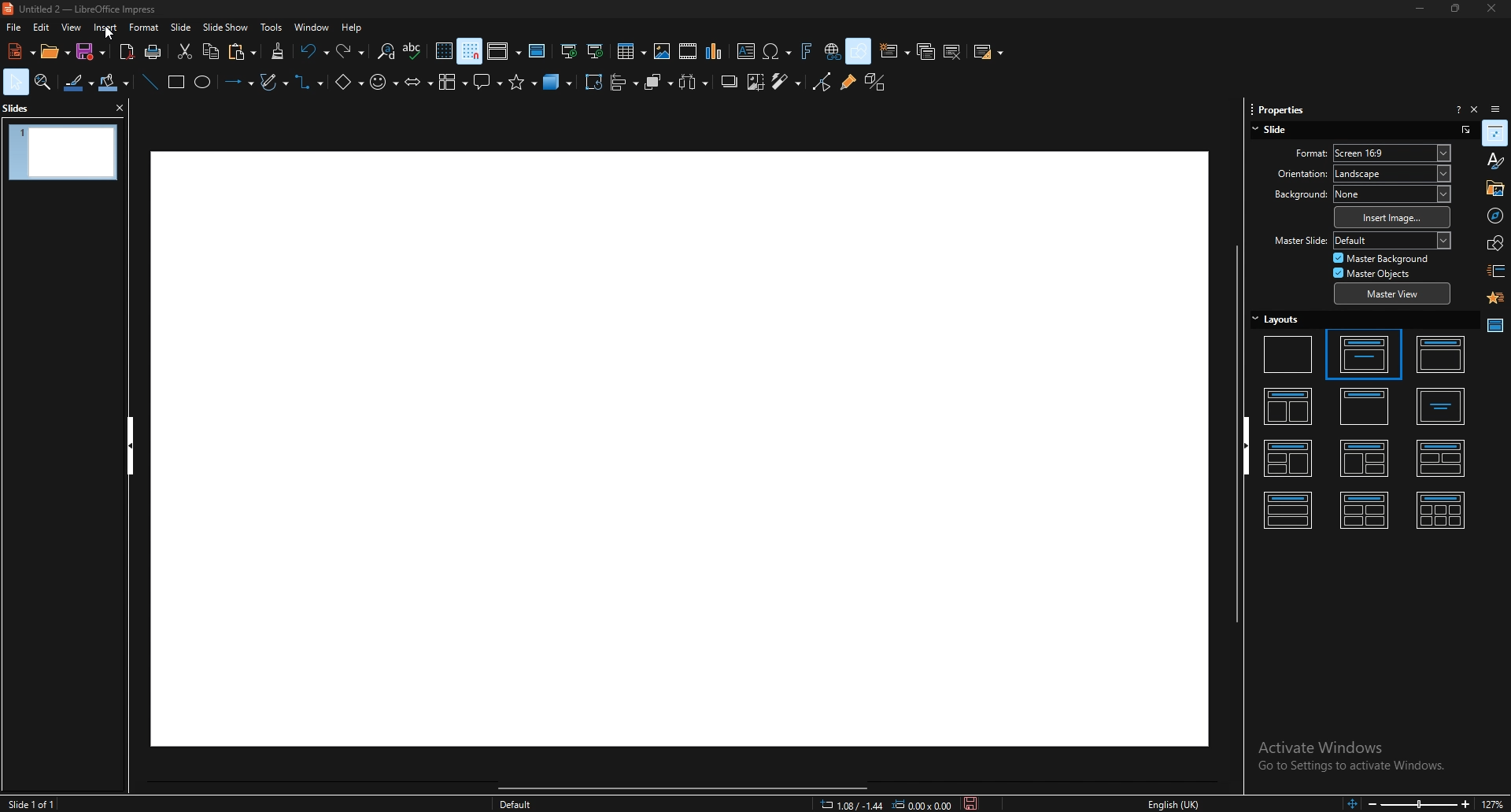 The height and width of the screenshot is (812, 1511). Describe the element at coordinates (755, 82) in the screenshot. I see `crop image` at that location.